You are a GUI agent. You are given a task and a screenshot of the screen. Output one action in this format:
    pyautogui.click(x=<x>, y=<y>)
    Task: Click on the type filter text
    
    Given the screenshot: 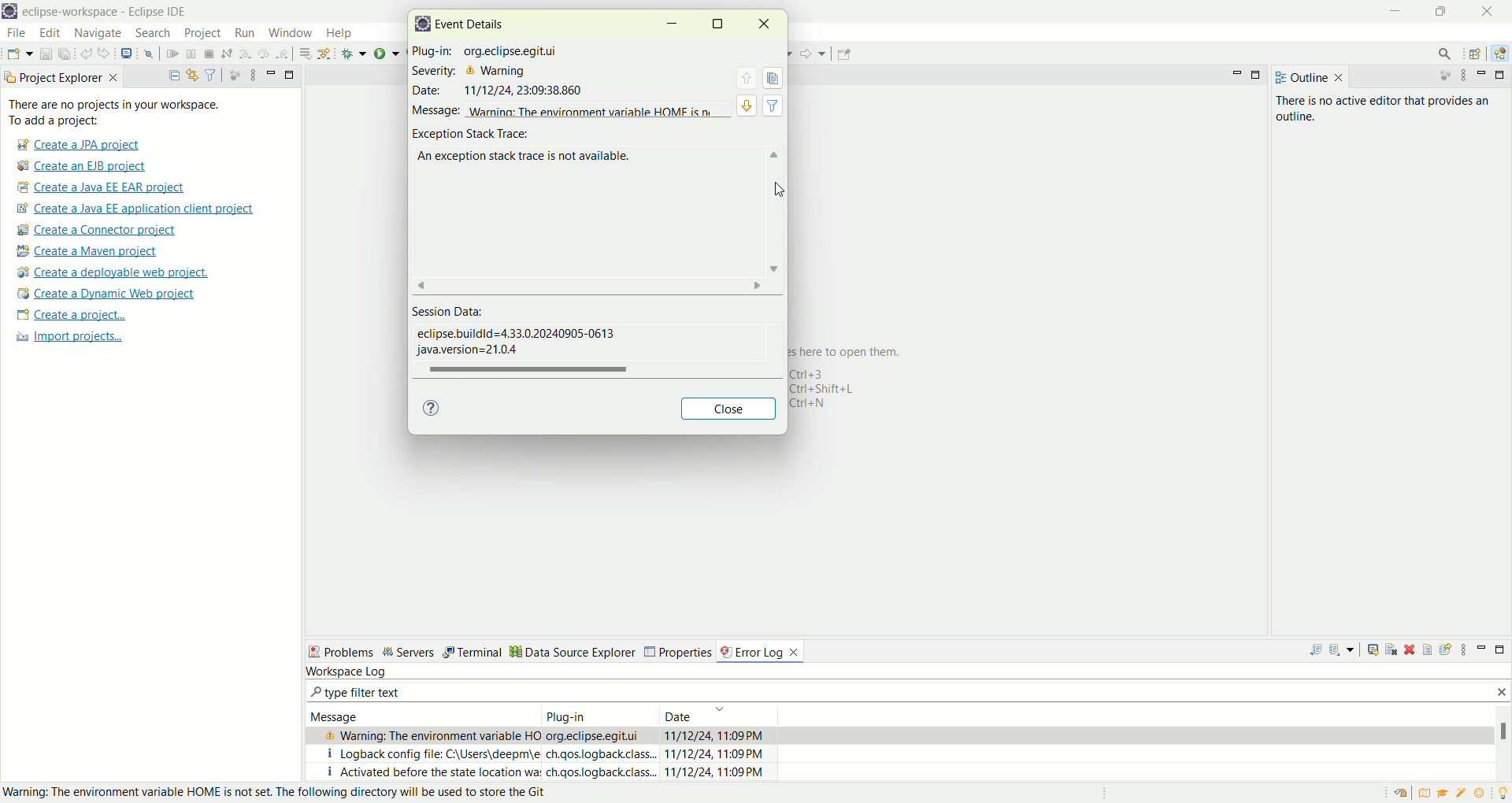 What is the action you would take?
    pyautogui.click(x=363, y=691)
    